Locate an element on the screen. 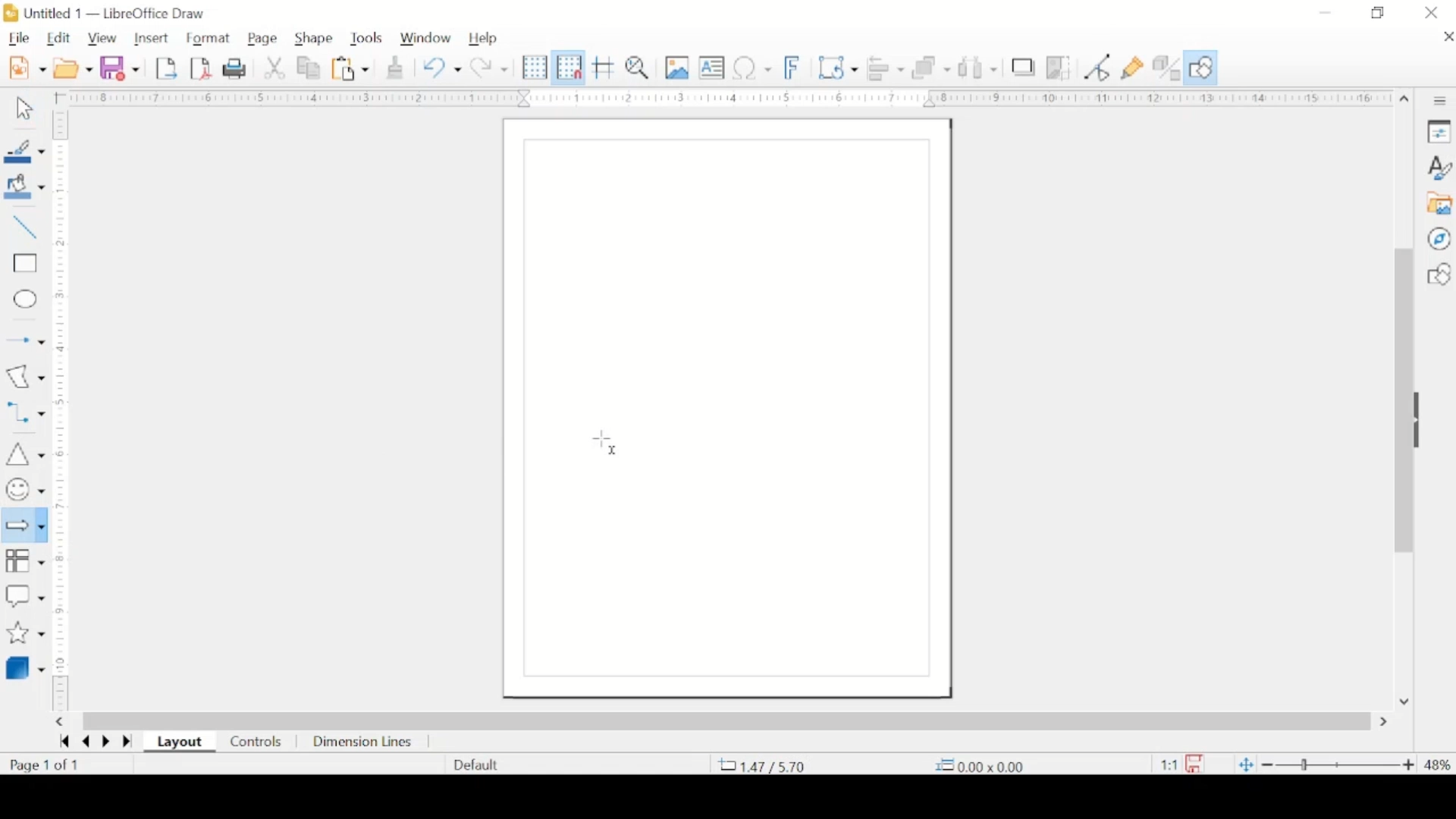 The image size is (1456, 819). basic shape is located at coordinates (1438, 274).